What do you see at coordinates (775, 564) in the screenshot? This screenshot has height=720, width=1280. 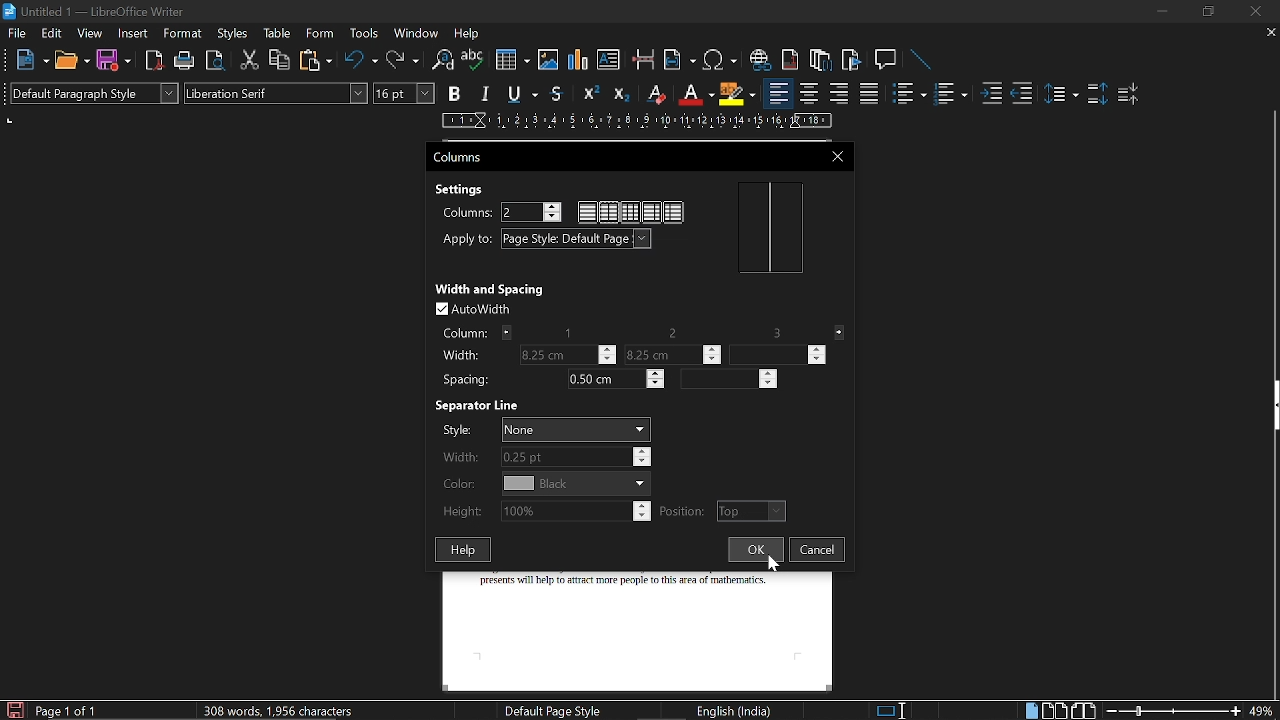 I see `Cursor` at bounding box center [775, 564].